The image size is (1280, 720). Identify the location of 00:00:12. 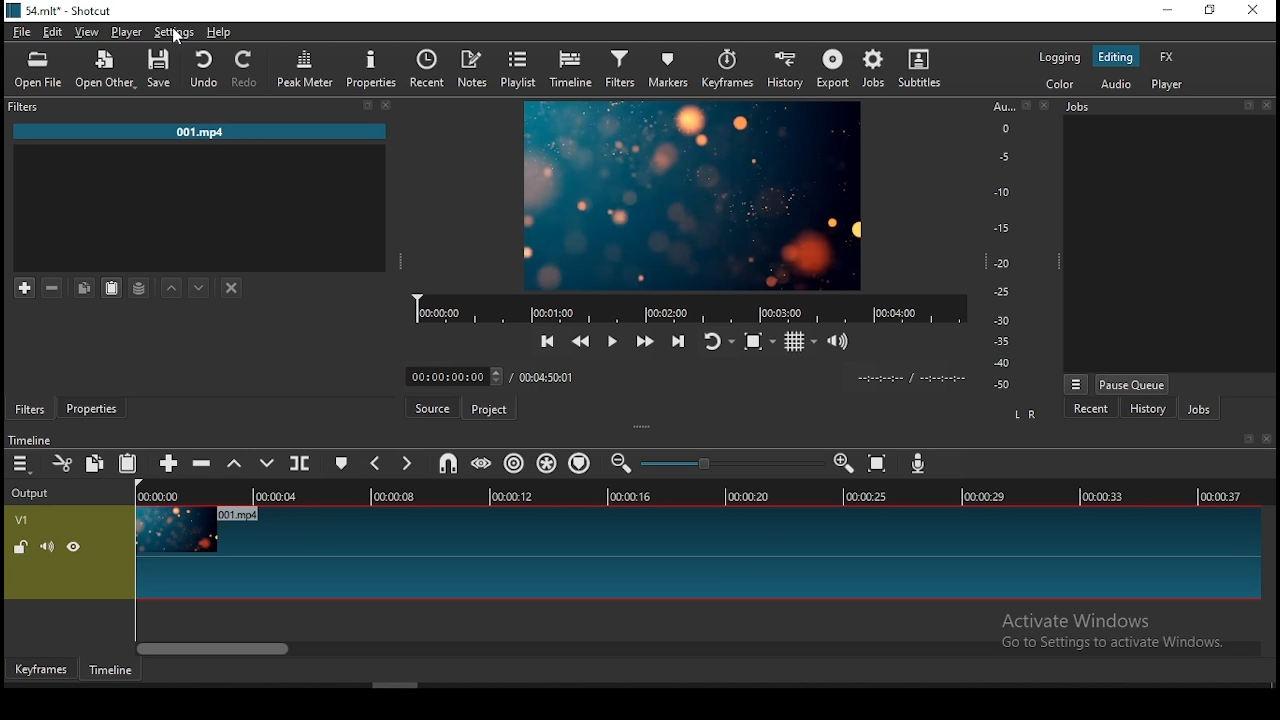
(515, 496).